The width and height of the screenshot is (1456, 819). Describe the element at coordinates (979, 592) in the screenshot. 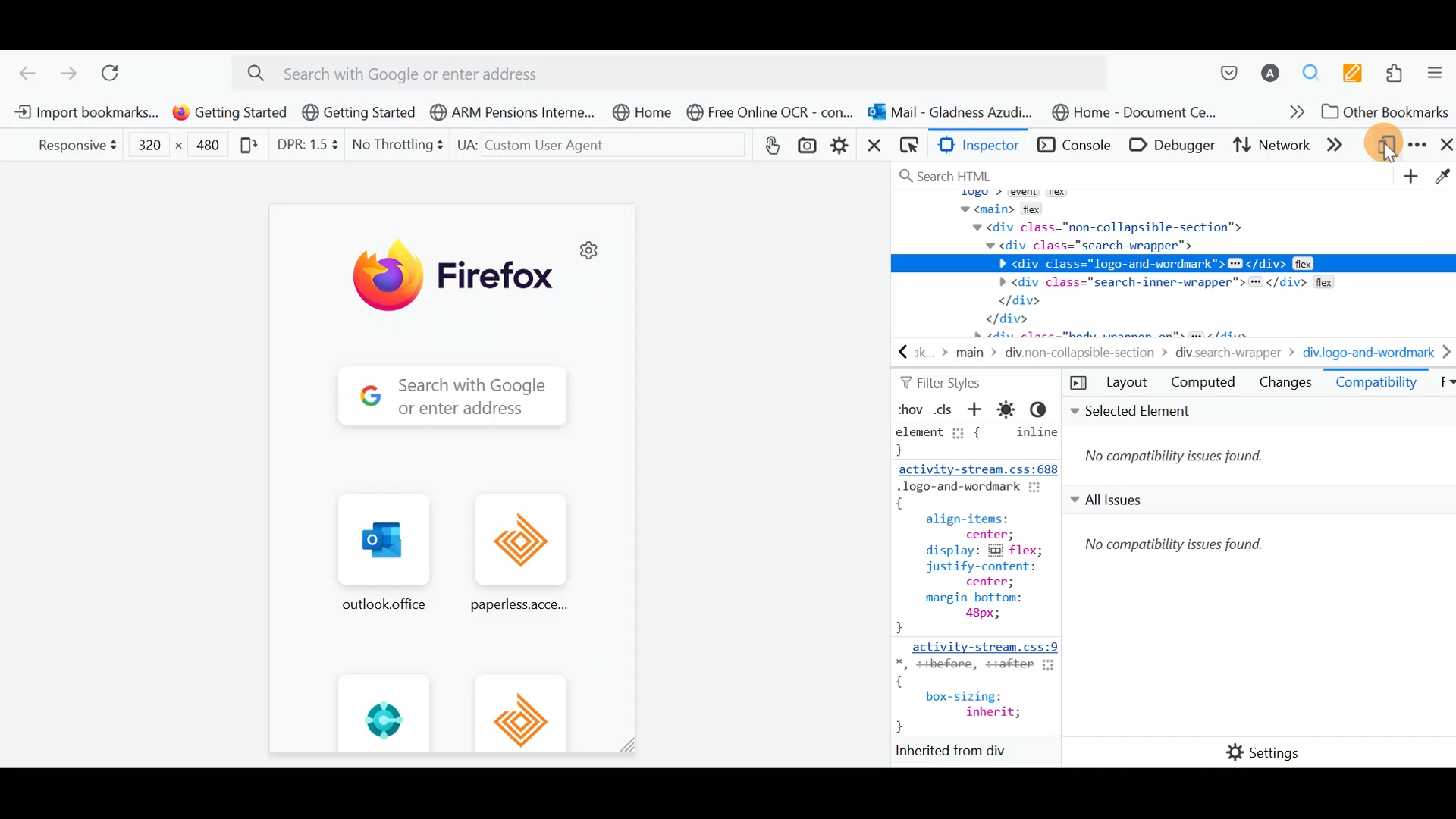

I see `HTML code` at that location.